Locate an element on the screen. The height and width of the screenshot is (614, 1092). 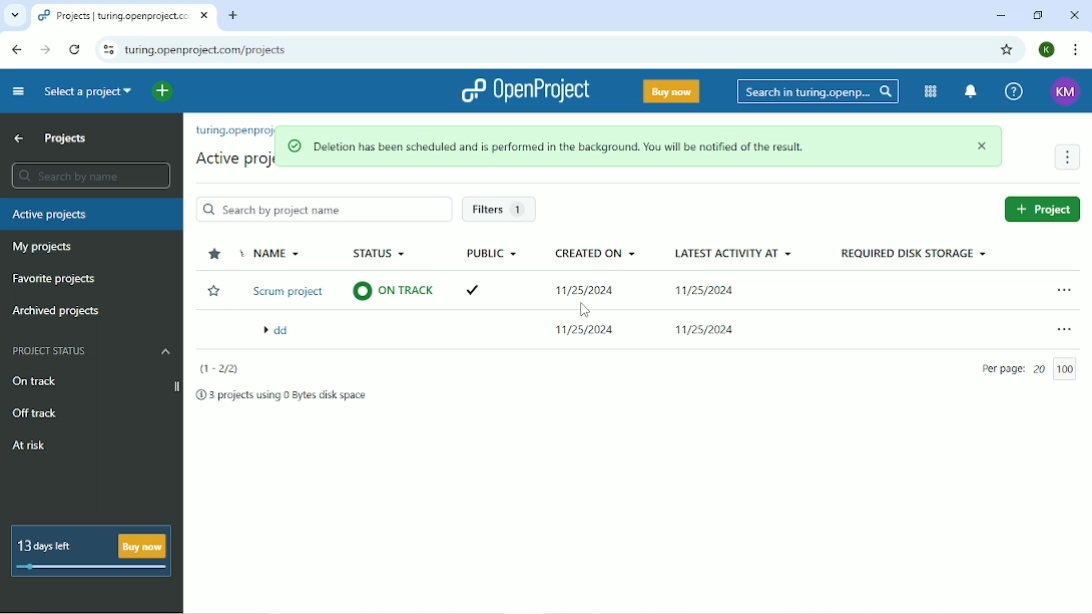
on track is located at coordinates (390, 293).